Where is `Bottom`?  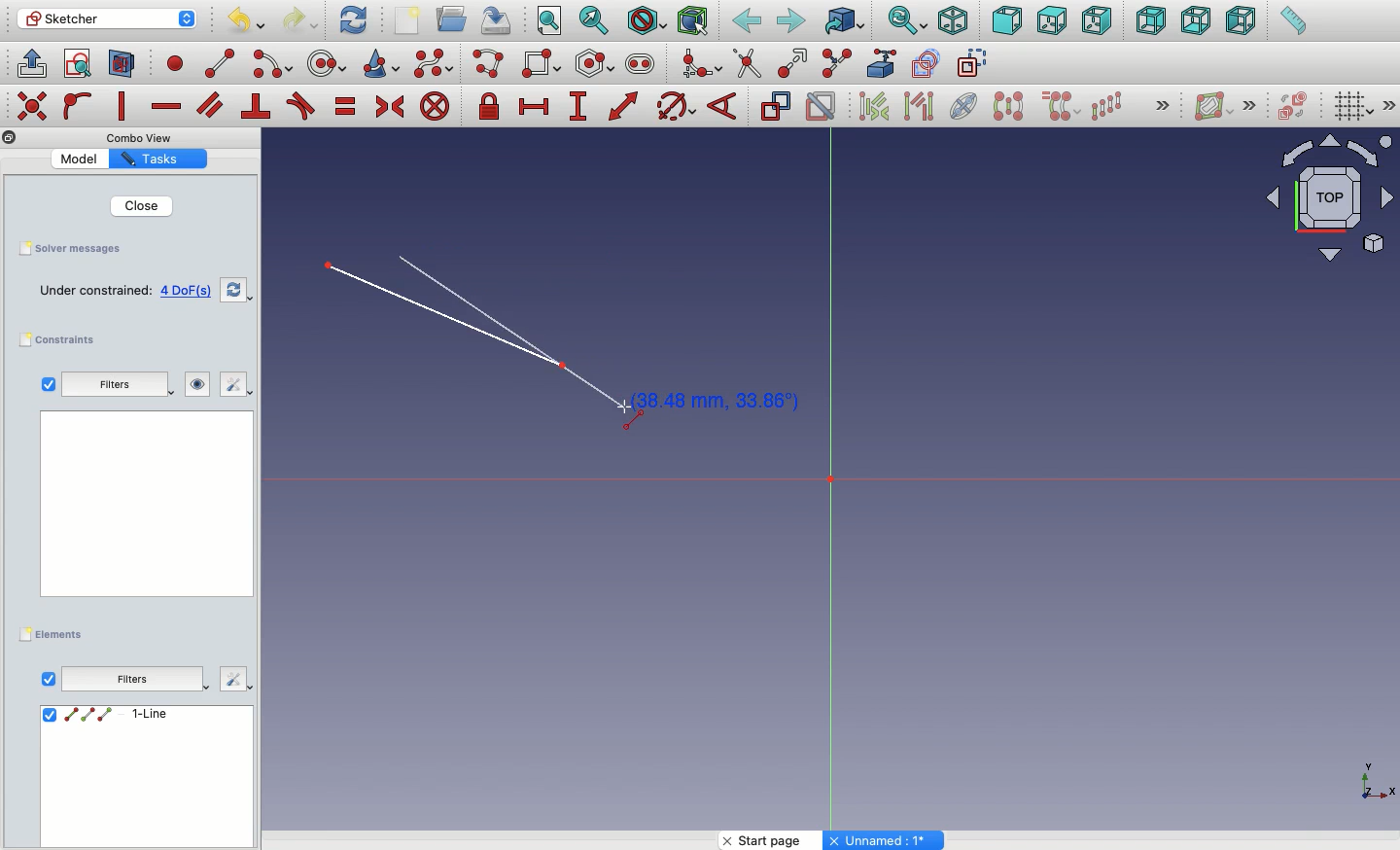
Bottom is located at coordinates (1196, 22).